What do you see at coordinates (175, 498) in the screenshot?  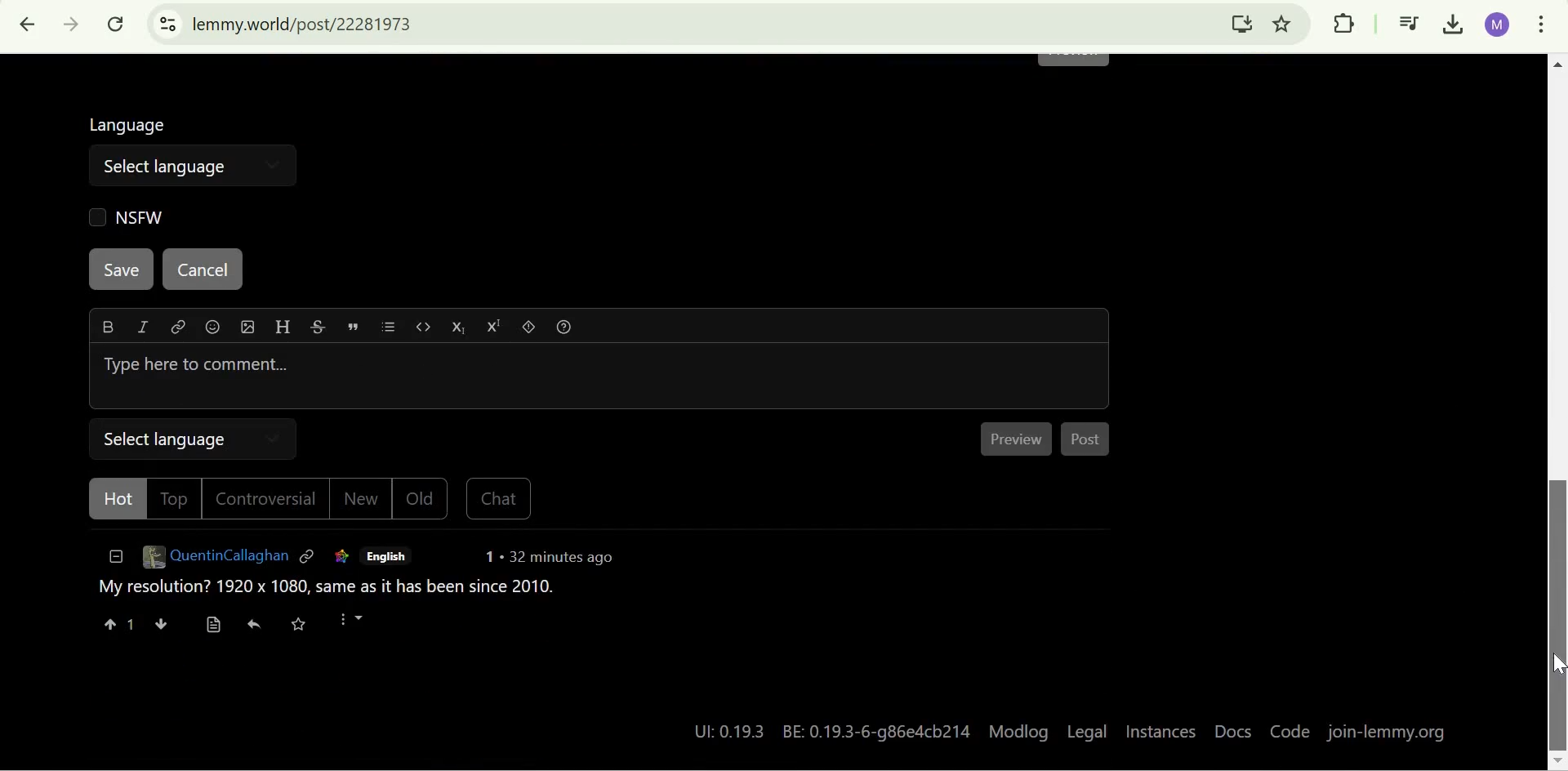 I see `Top` at bounding box center [175, 498].